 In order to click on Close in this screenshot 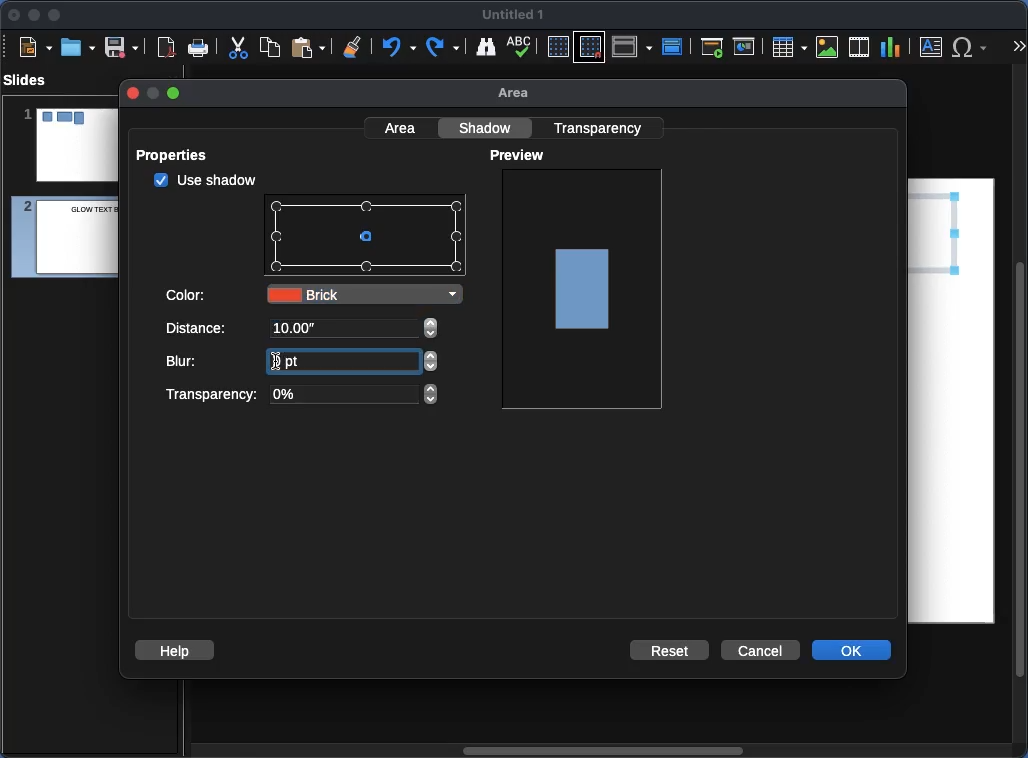, I will do `click(15, 15)`.